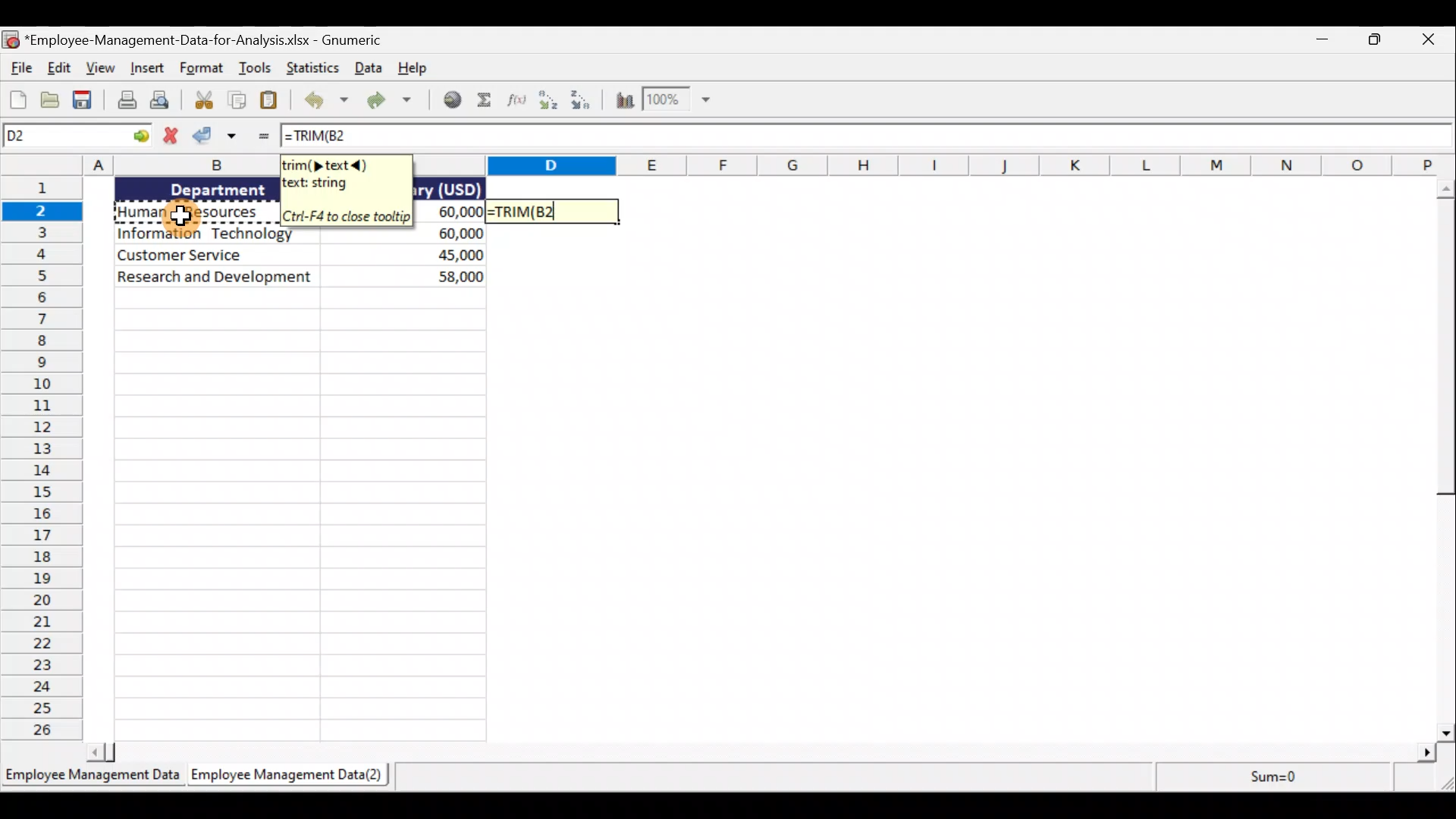 This screenshot has width=1456, height=819. Describe the element at coordinates (1430, 45) in the screenshot. I see `close` at that location.